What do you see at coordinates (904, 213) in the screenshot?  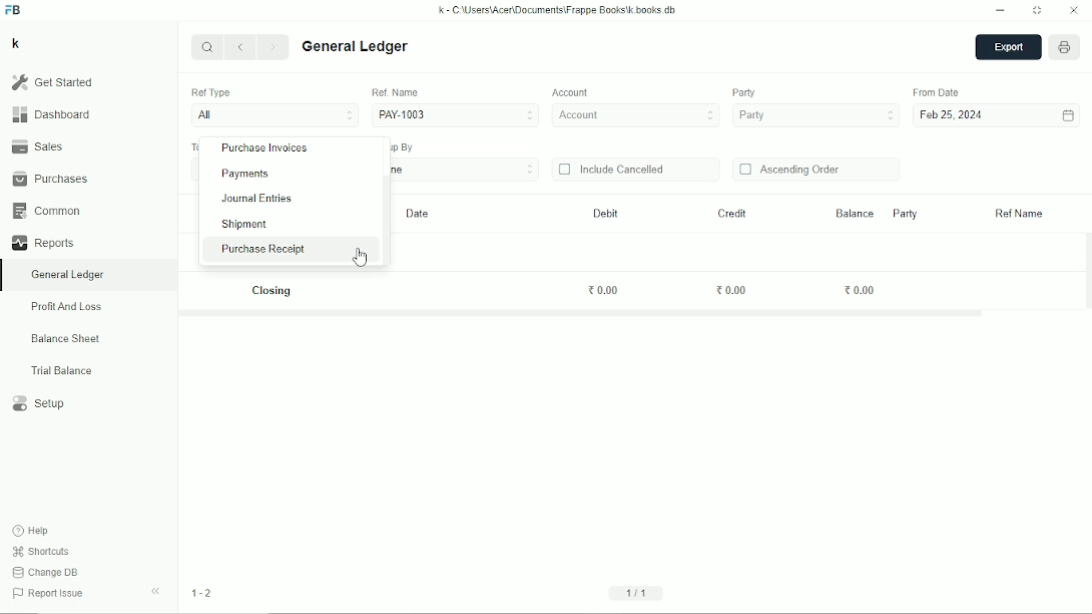 I see `Party` at bounding box center [904, 213].